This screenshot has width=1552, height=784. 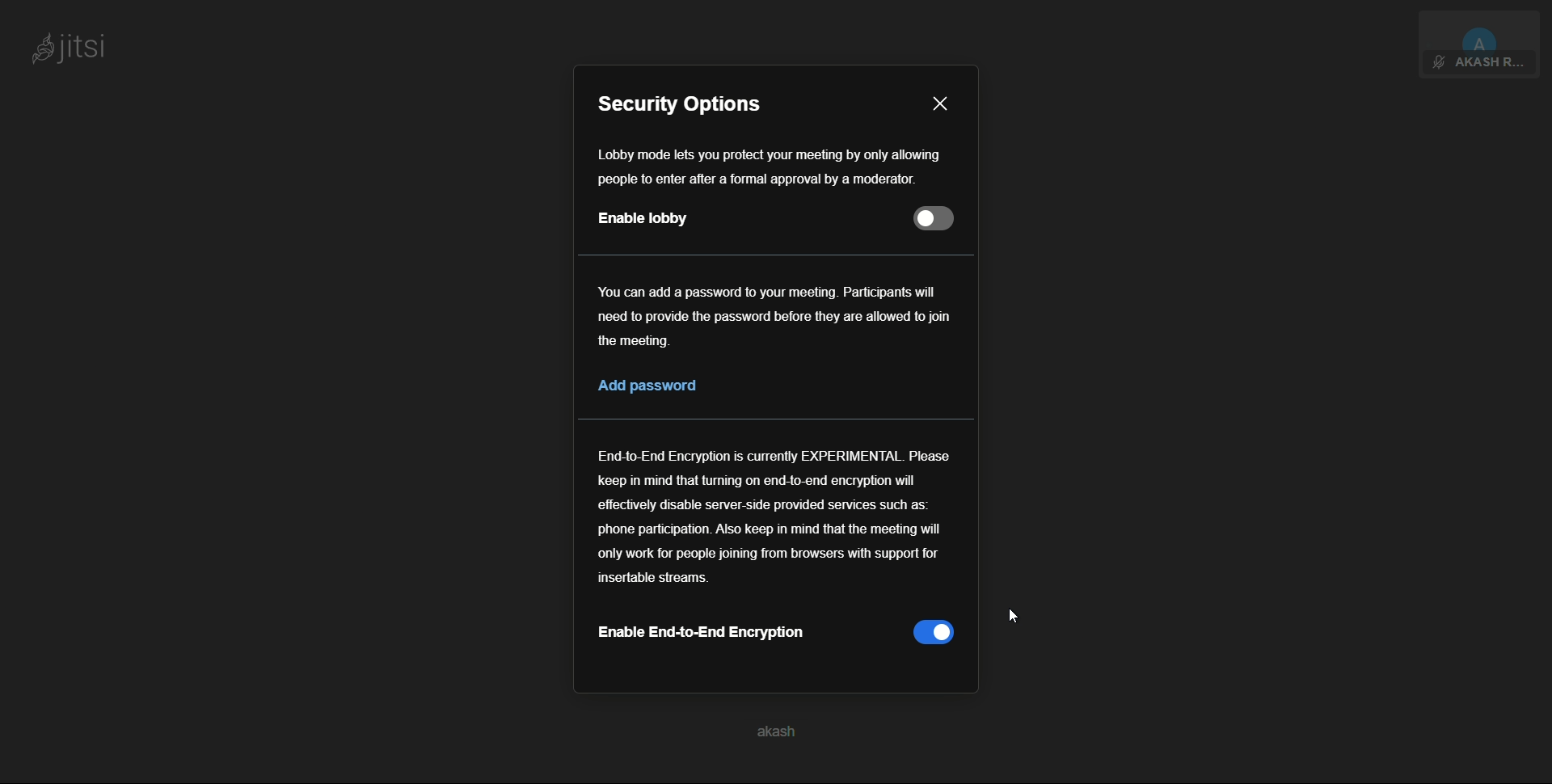 What do you see at coordinates (775, 520) in the screenshot?
I see `End-to-End Encryption is currently EXPERIMENTAL. Please
keep in mind that turning on end-to-end encryption will
effectively disable server-side provided services such as
phone participation. Also keep in mind that the meeting will
only work for people joining from browsers with support for
insertable streams.` at bounding box center [775, 520].